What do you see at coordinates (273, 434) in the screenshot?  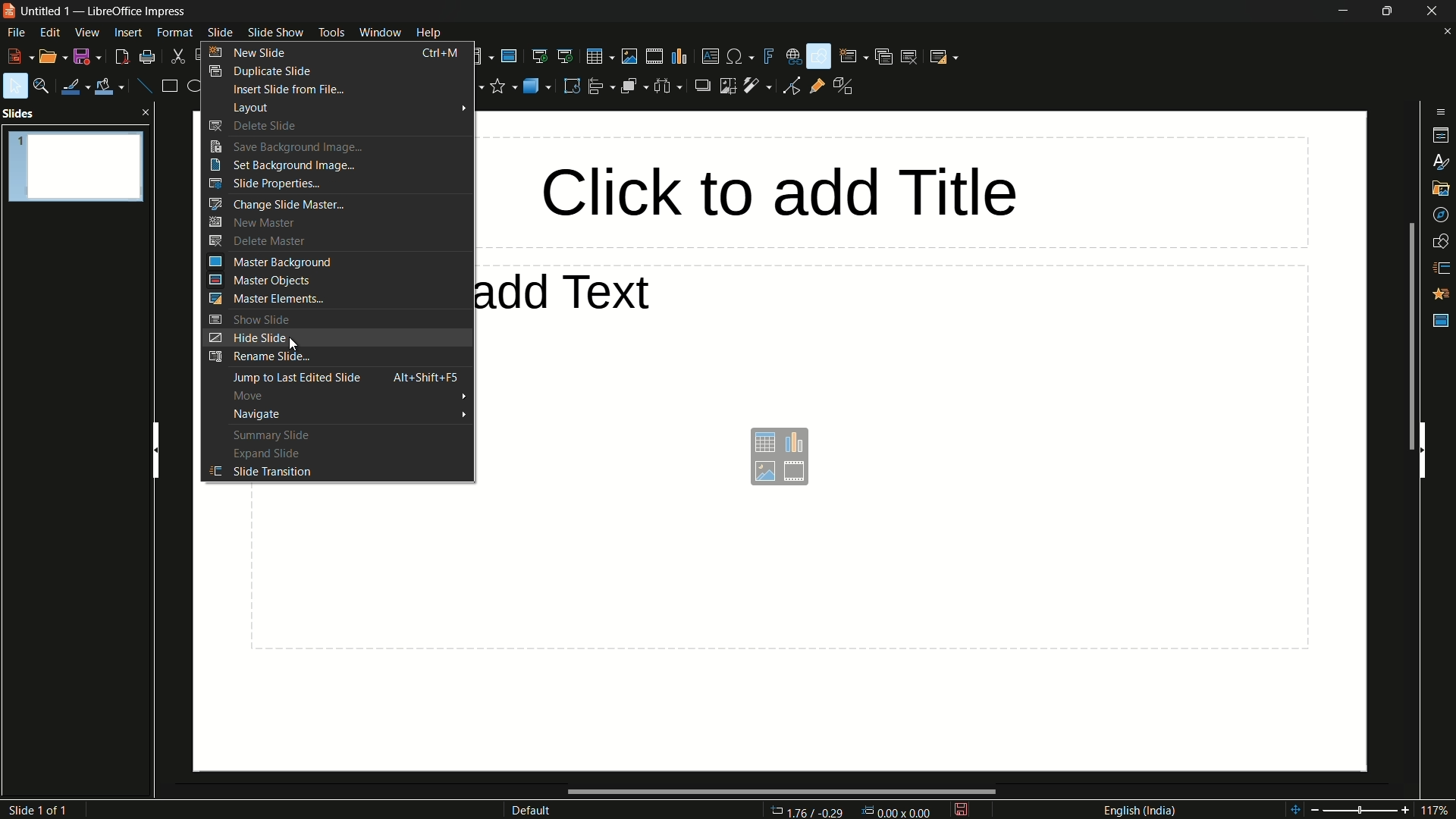 I see `summary slide` at bounding box center [273, 434].